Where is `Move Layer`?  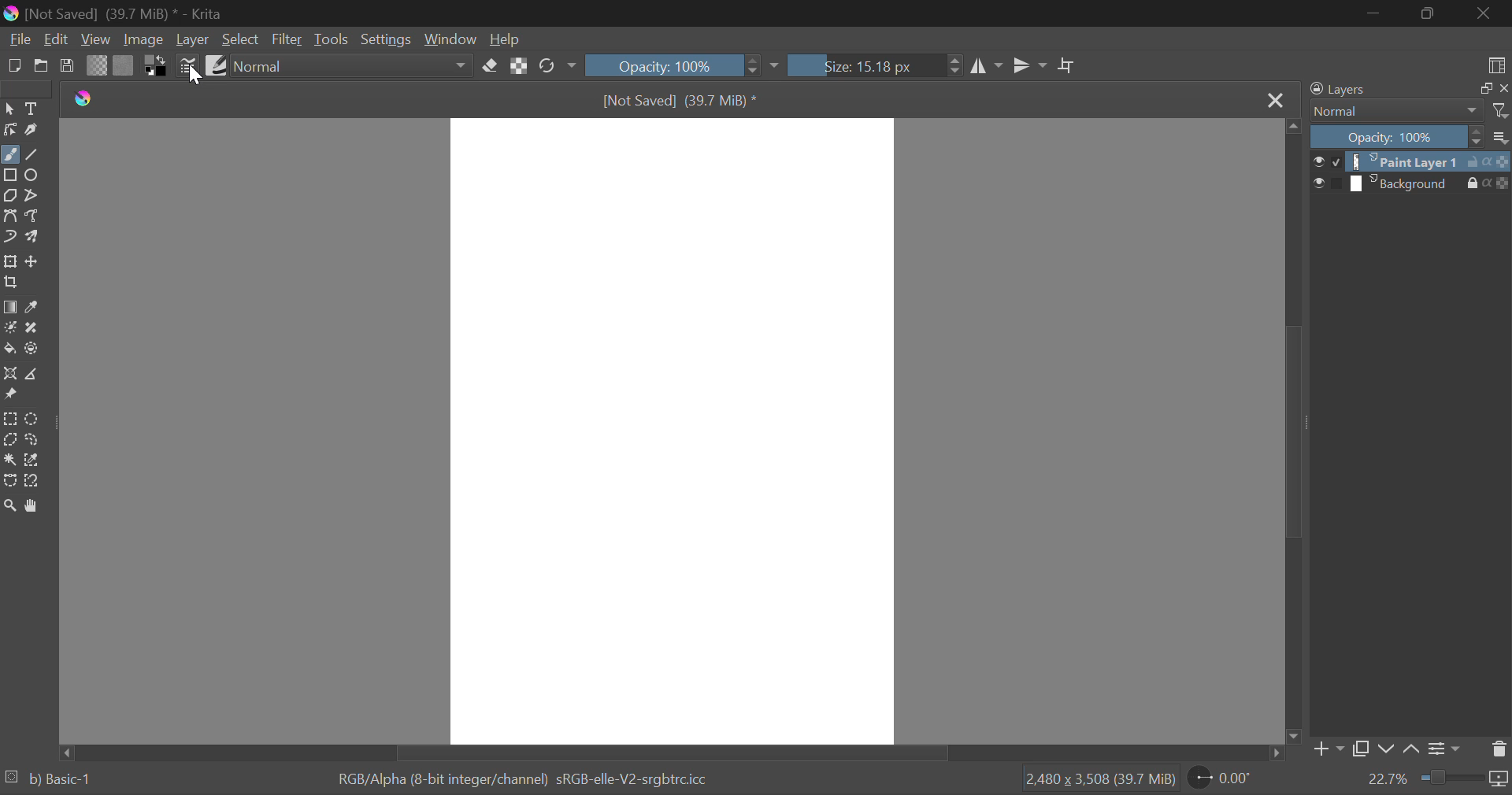
Move Layer is located at coordinates (34, 261).